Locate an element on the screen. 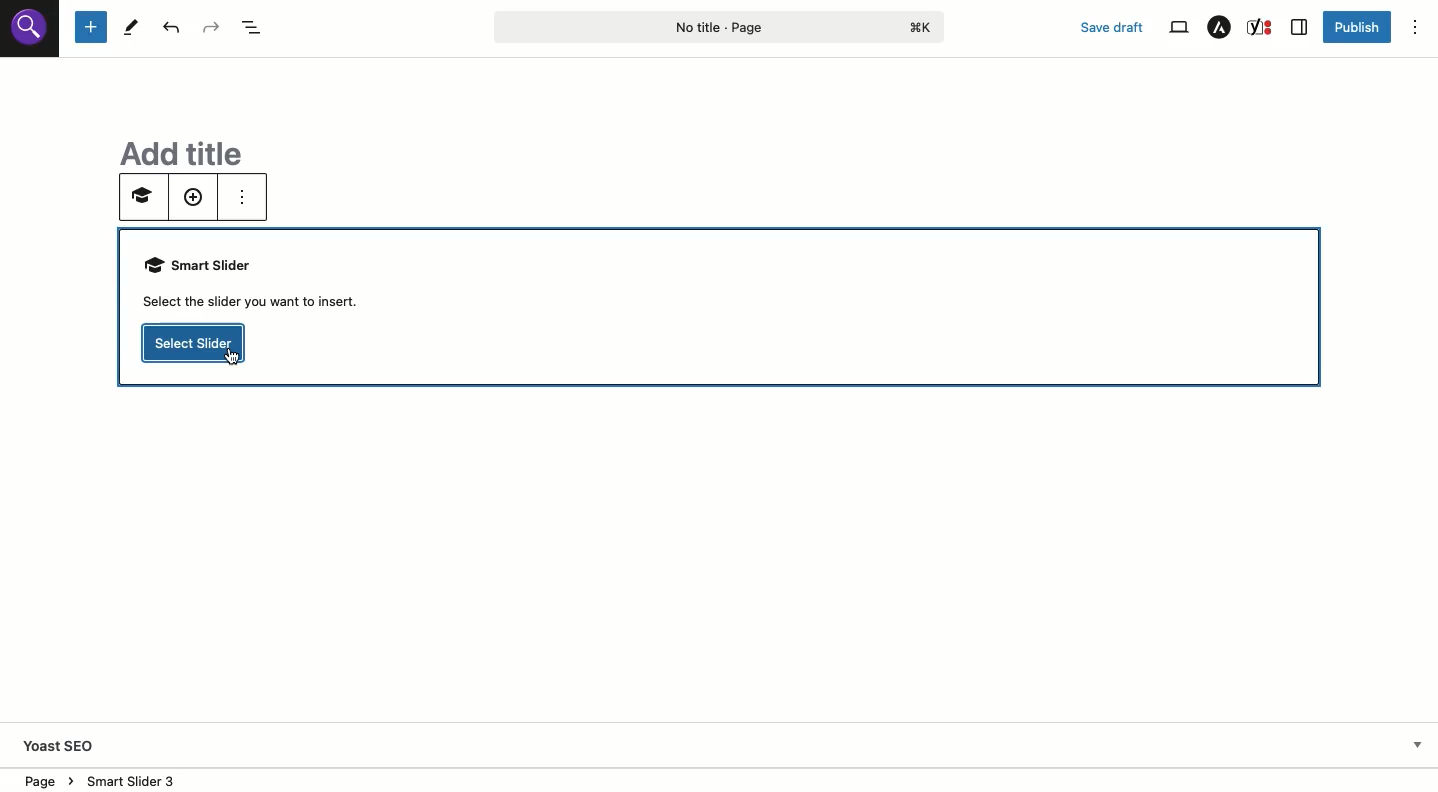 This screenshot has height=792, width=1438. Undo is located at coordinates (171, 27).